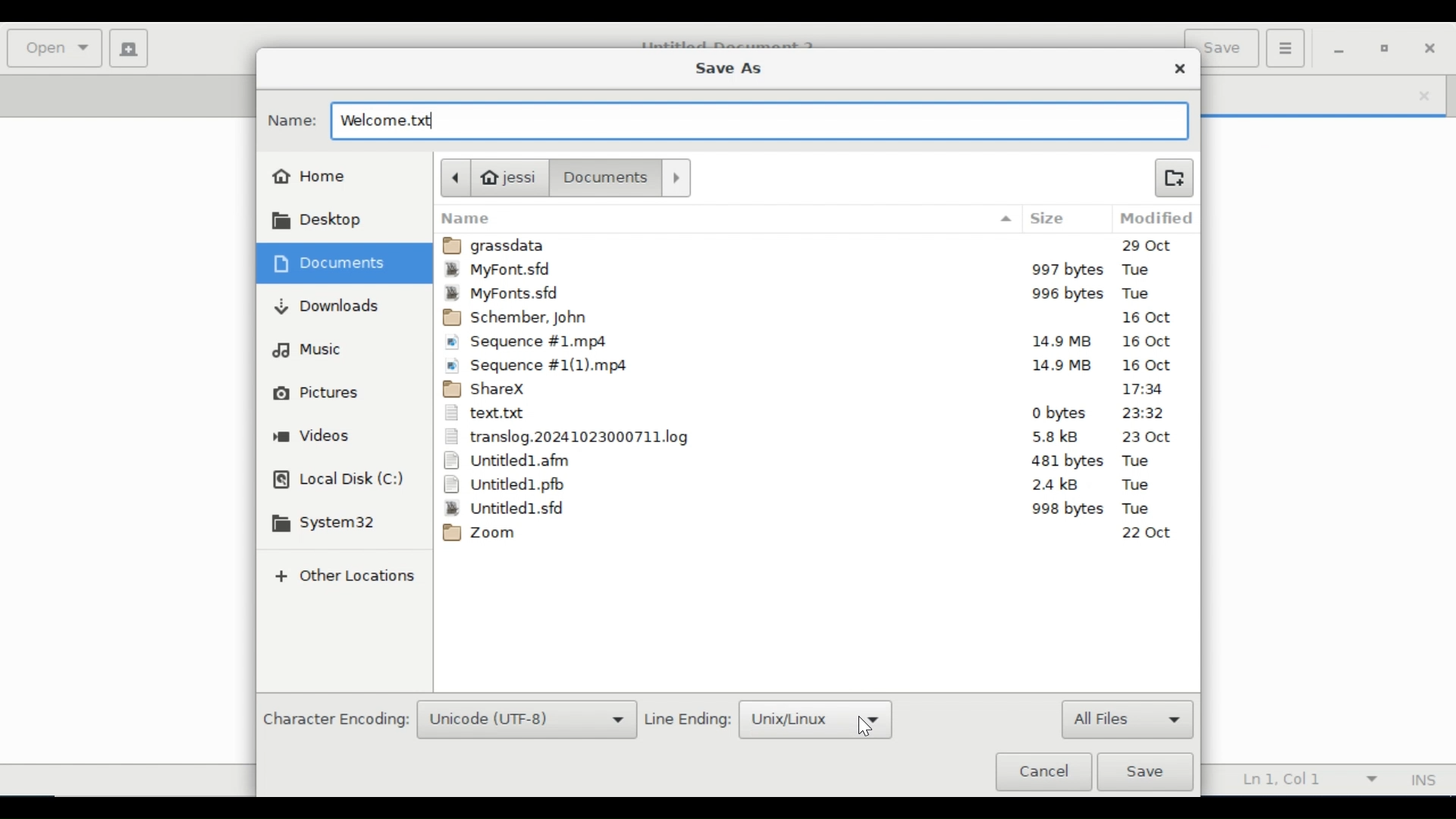  What do you see at coordinates (817, 294) in the screenshot?
I see `MyFont.sfd 995bytes Tue` at bounding box center [817, 294].